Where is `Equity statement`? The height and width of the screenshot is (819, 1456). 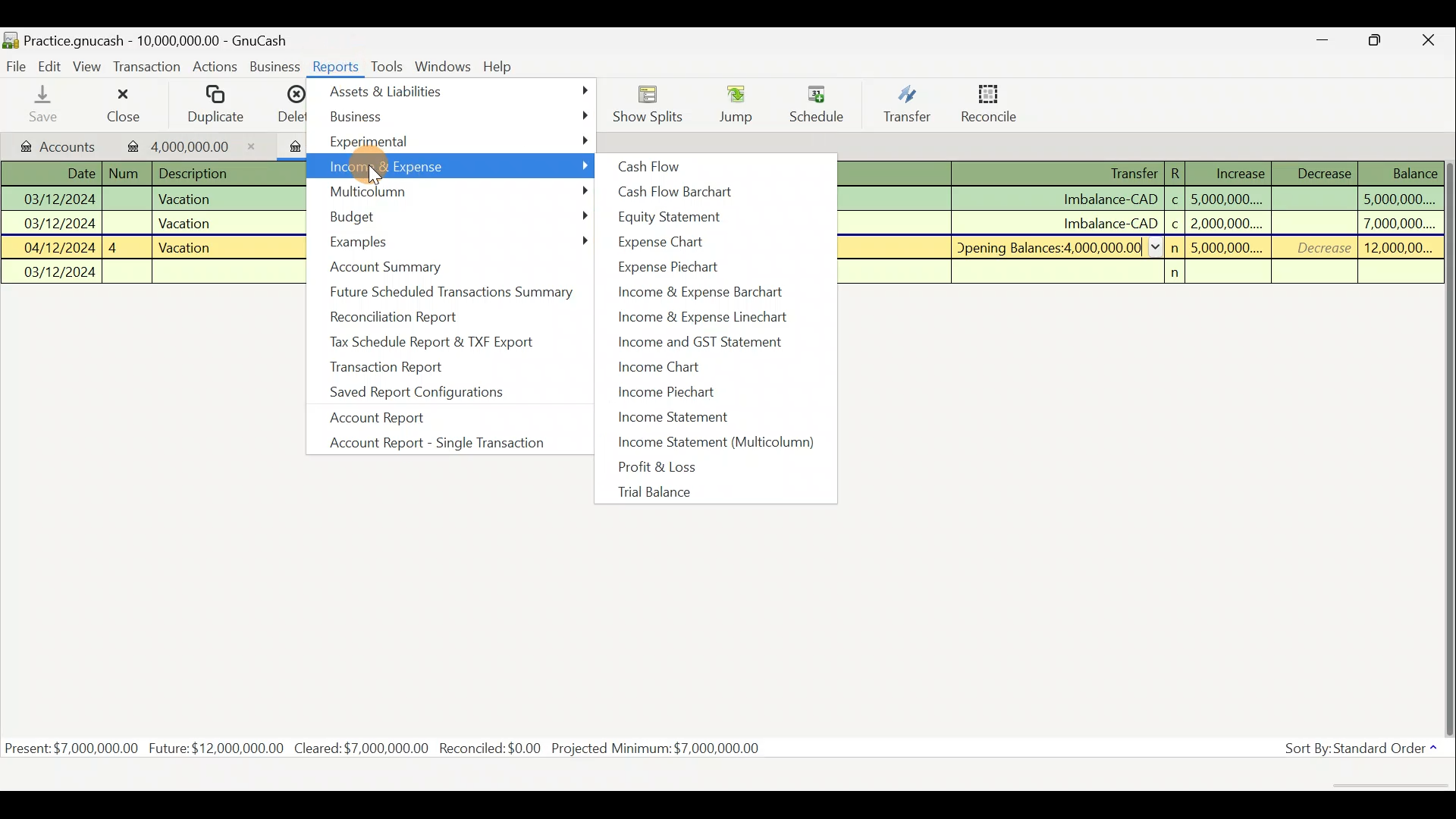
Equity statement is located at coordinates (679, 216).